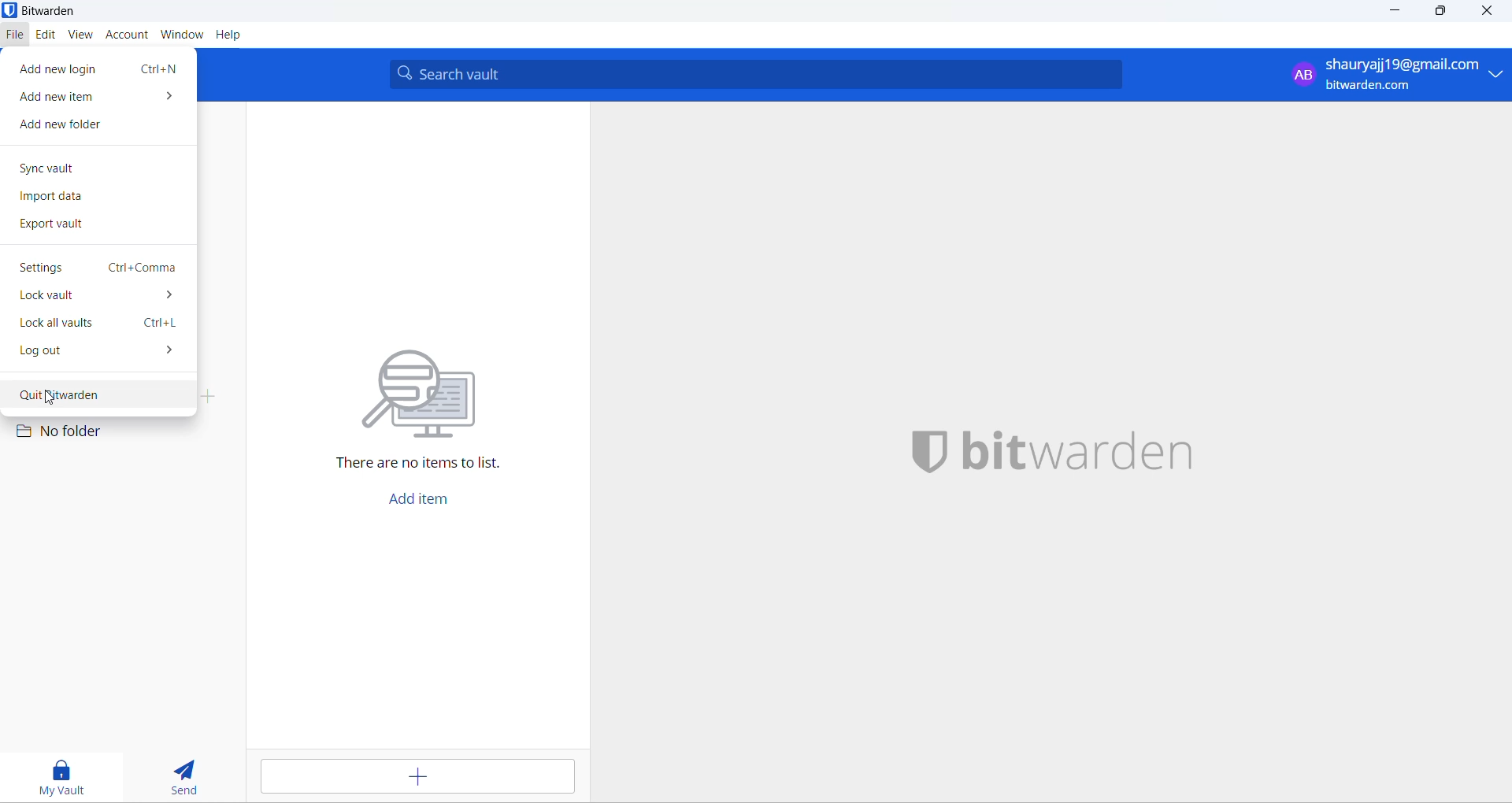 The image size is (1512, 803). What do you see at coordinates (43, 39) in the screenshot?
I see `edit` at bounding box center [43, 39].